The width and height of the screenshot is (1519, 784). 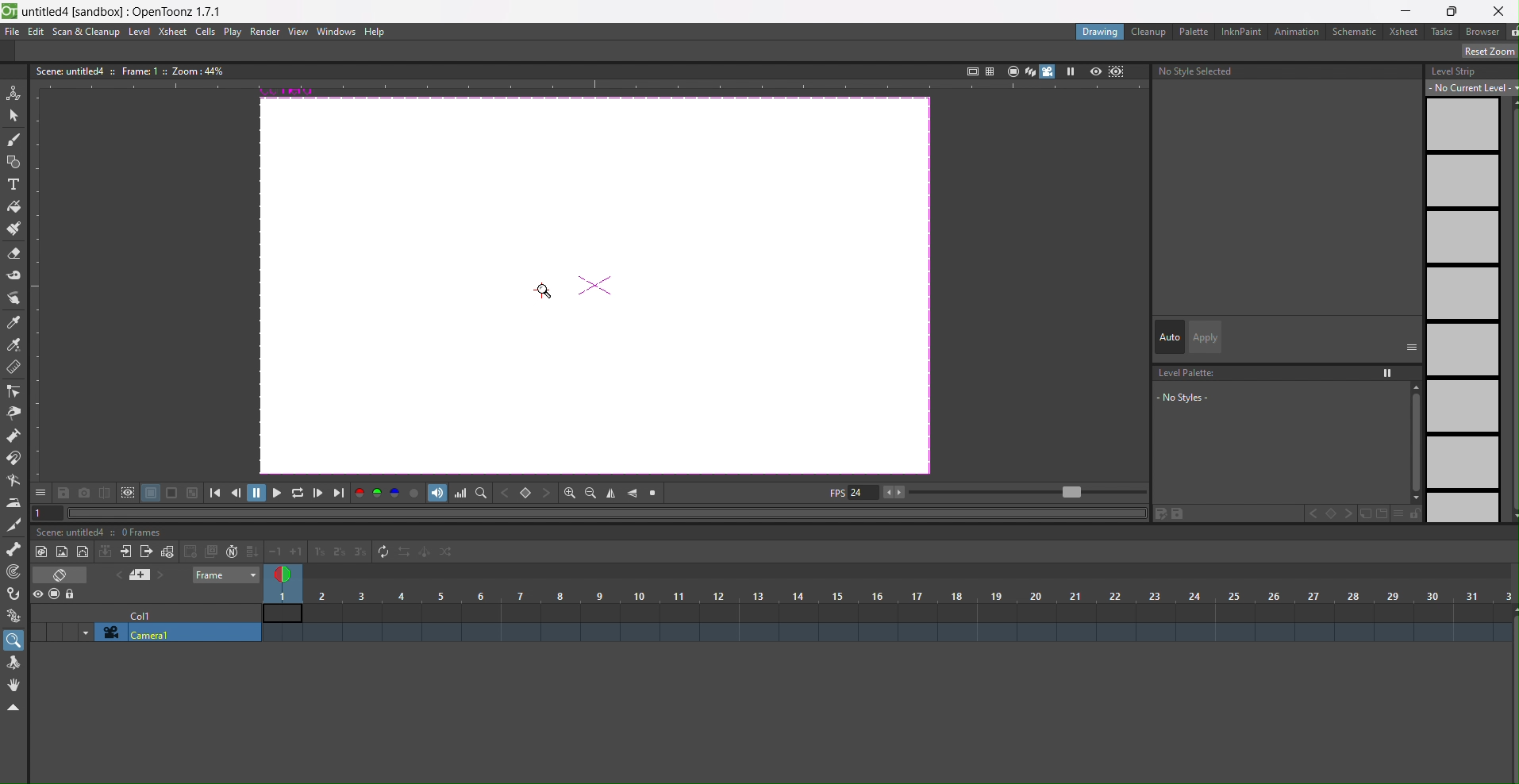 I want to click on paint brush tool, so click(x=13, y=229).